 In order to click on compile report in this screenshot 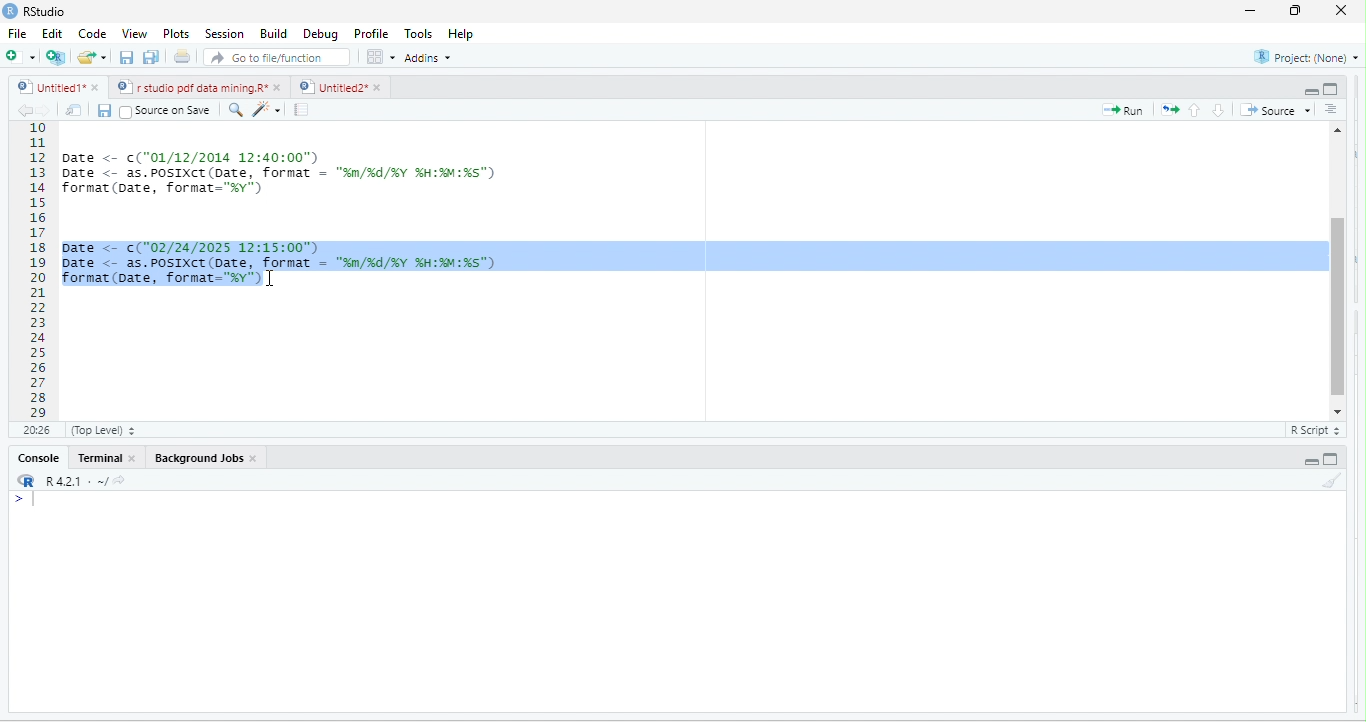, I will do `click(304, 109)`.